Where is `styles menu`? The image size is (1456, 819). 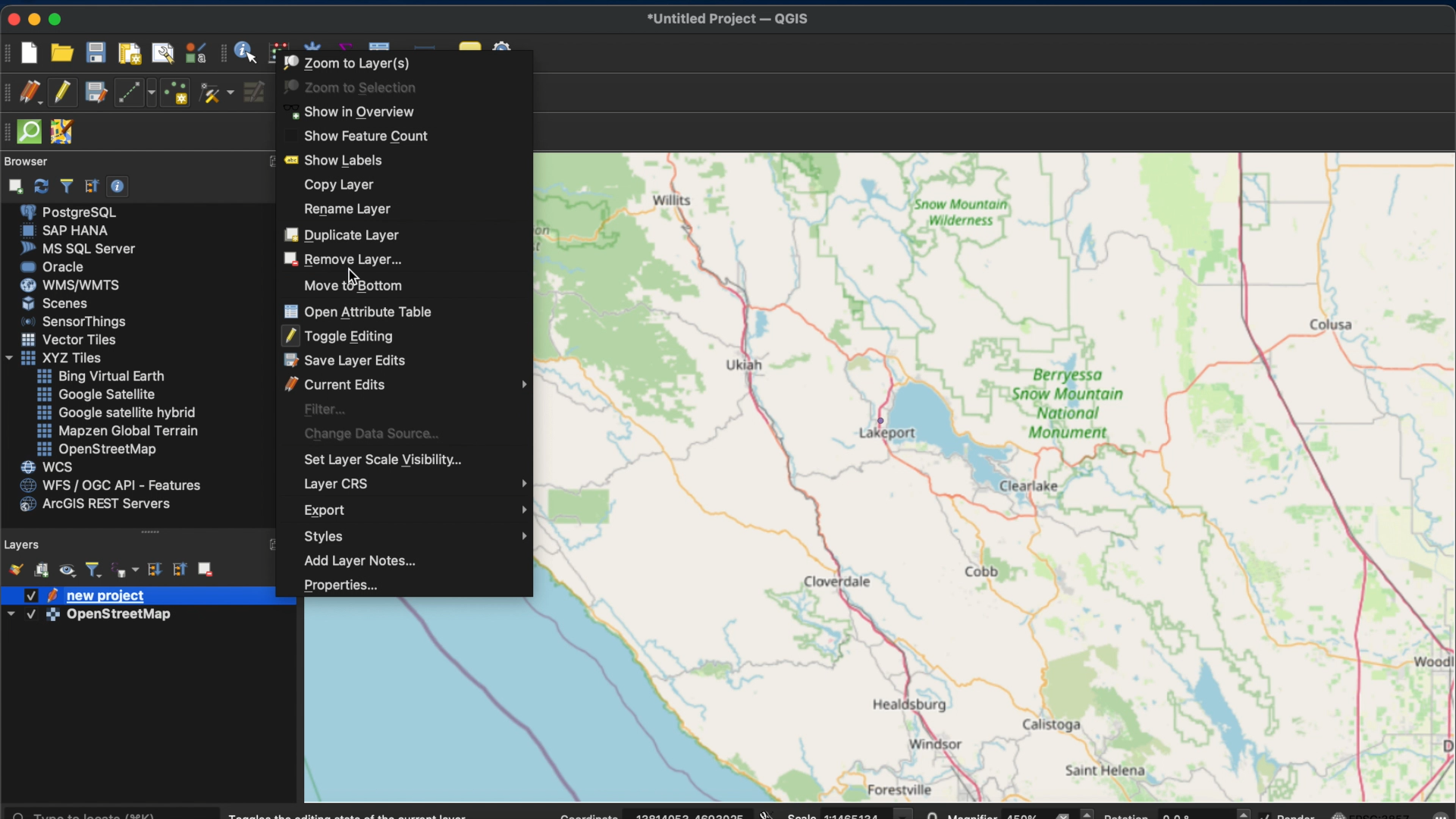
styles menu is located at coordinates (416, 536).